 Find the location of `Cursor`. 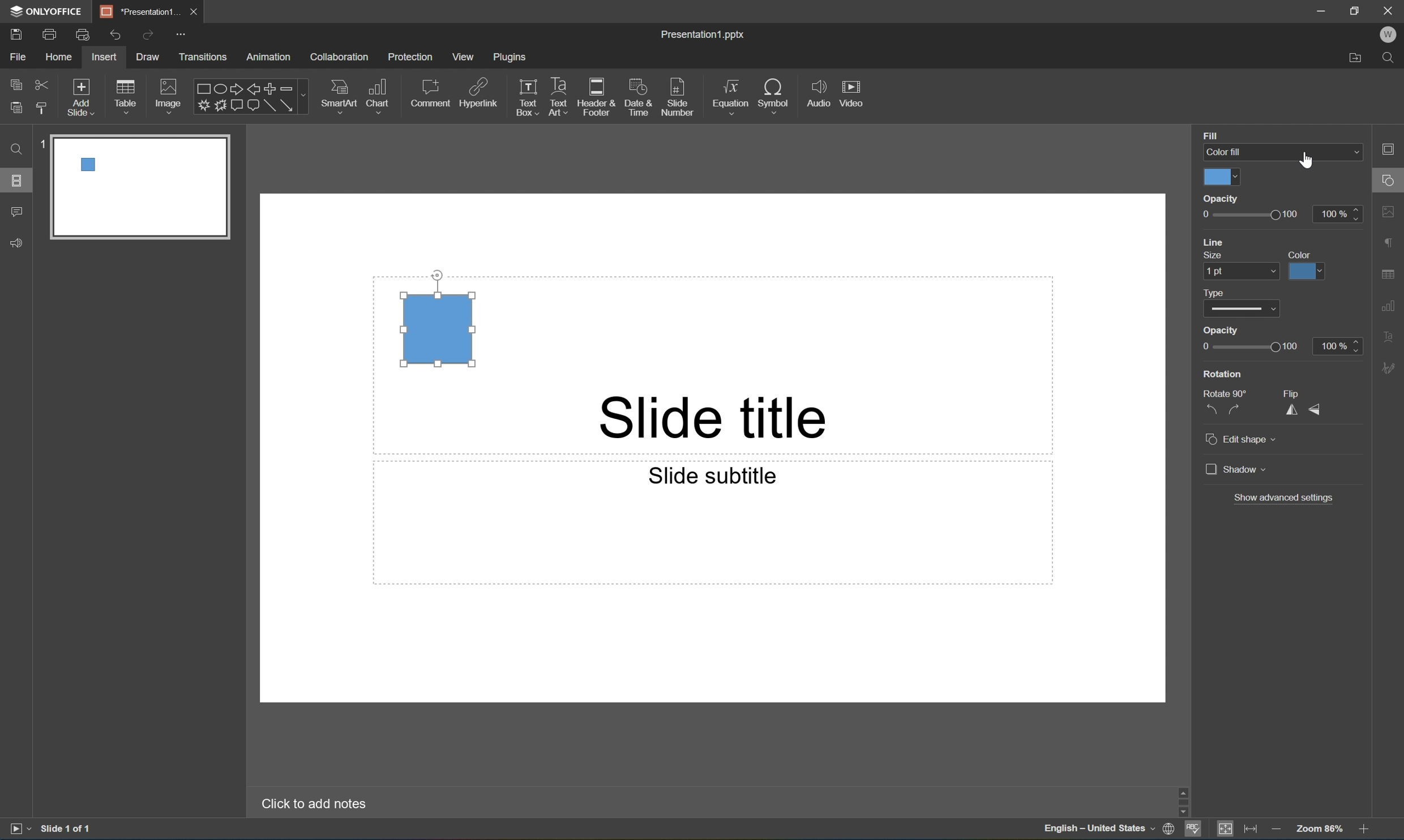

Cursor is located at coordinates (1306, 161).